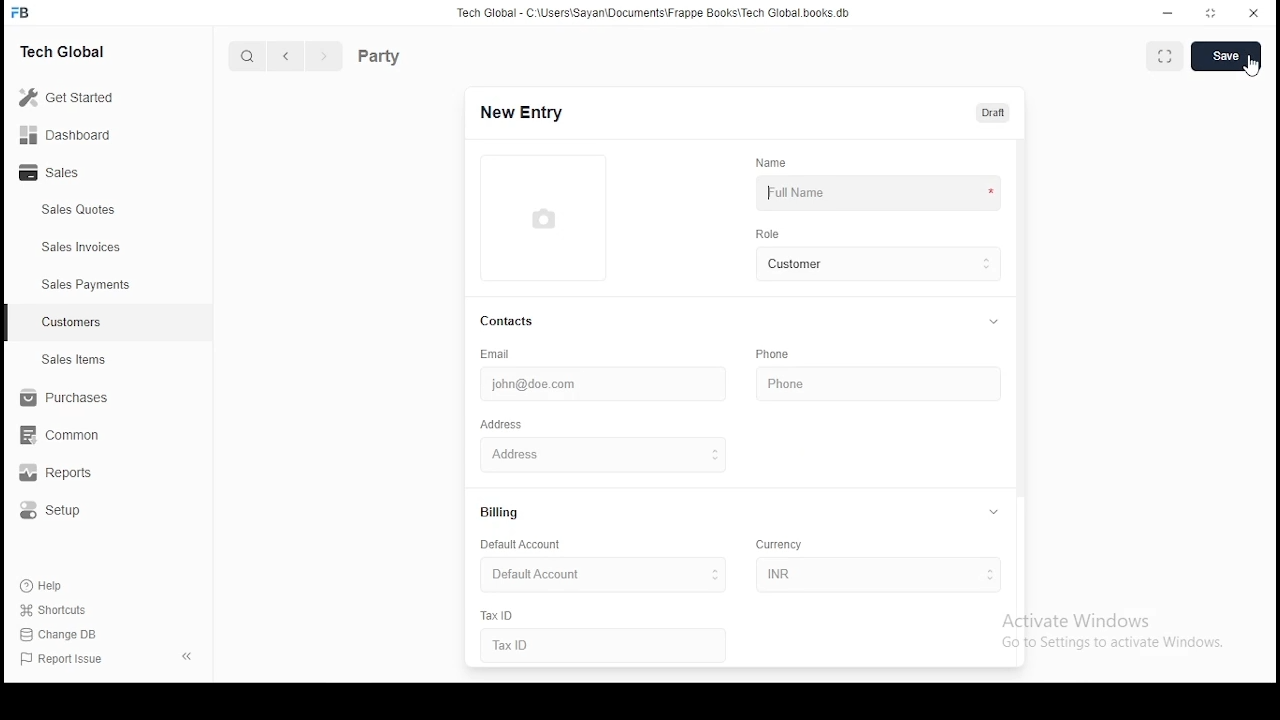  Describe the element at coordinates (52, 611) in the screenshot. I see `shortcuts` at that location.